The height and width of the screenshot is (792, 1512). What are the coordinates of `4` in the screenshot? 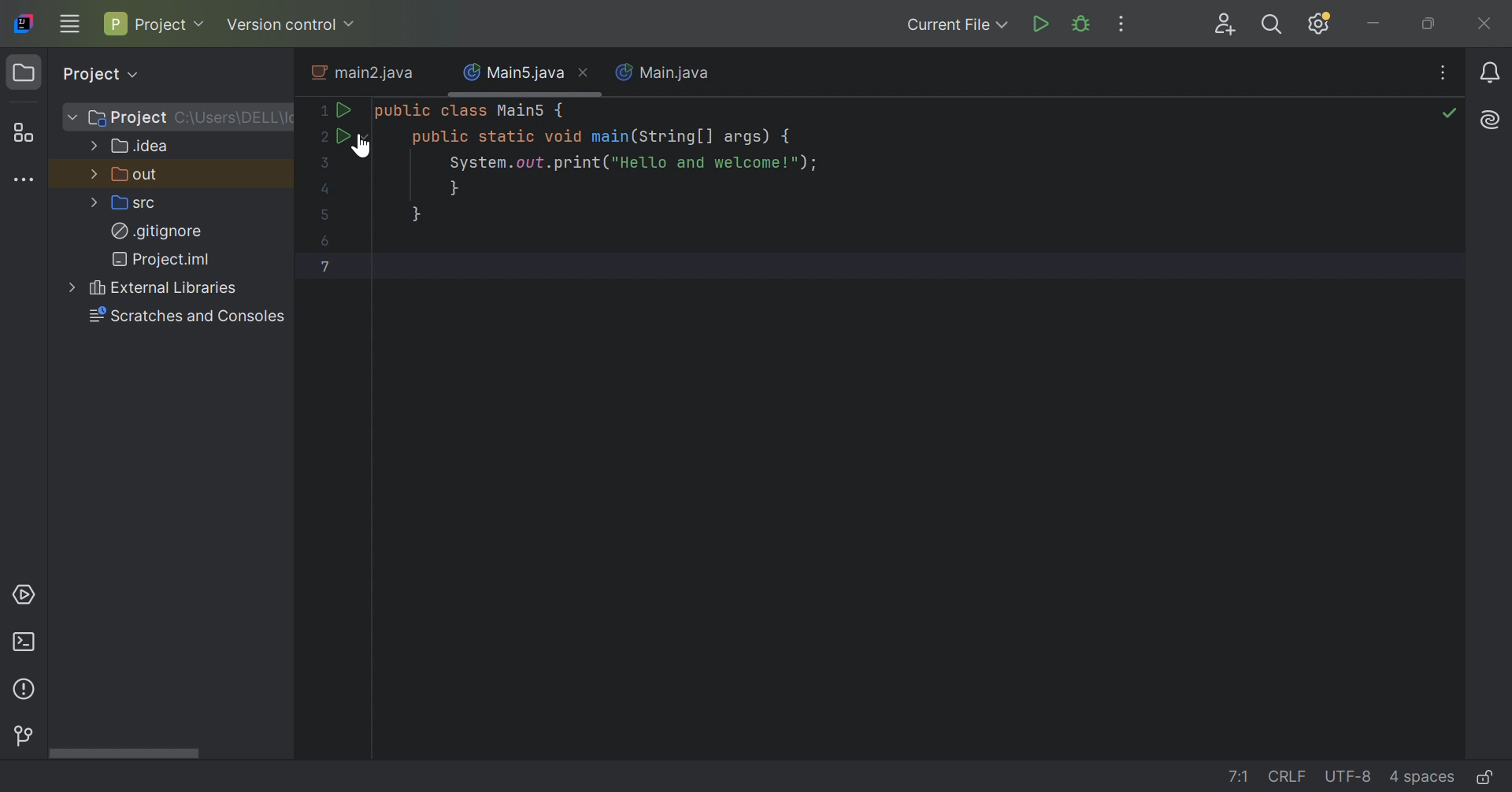 It's located at (324, 190).